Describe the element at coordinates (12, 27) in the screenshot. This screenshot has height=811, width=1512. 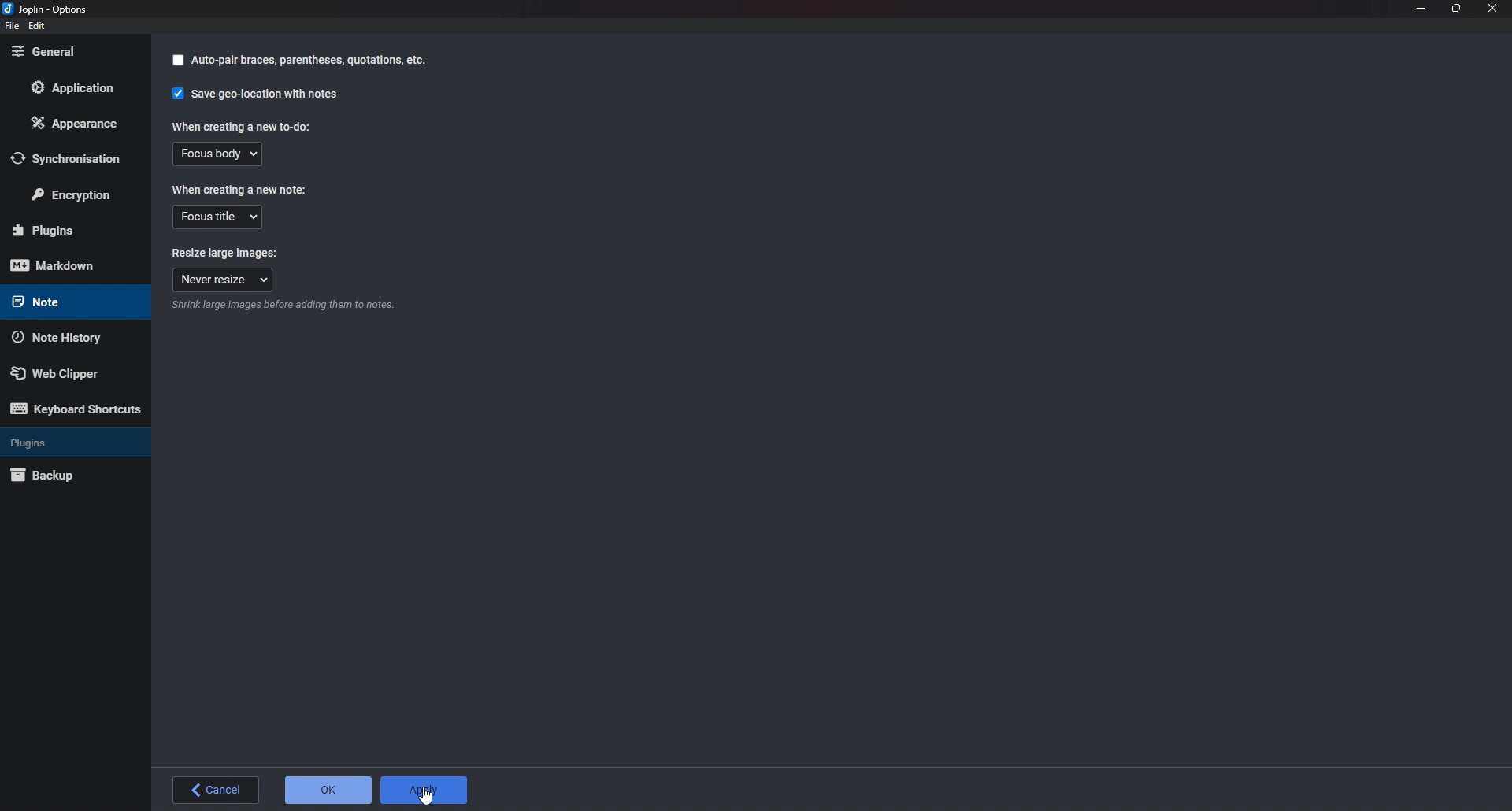
I see `File` at that location.